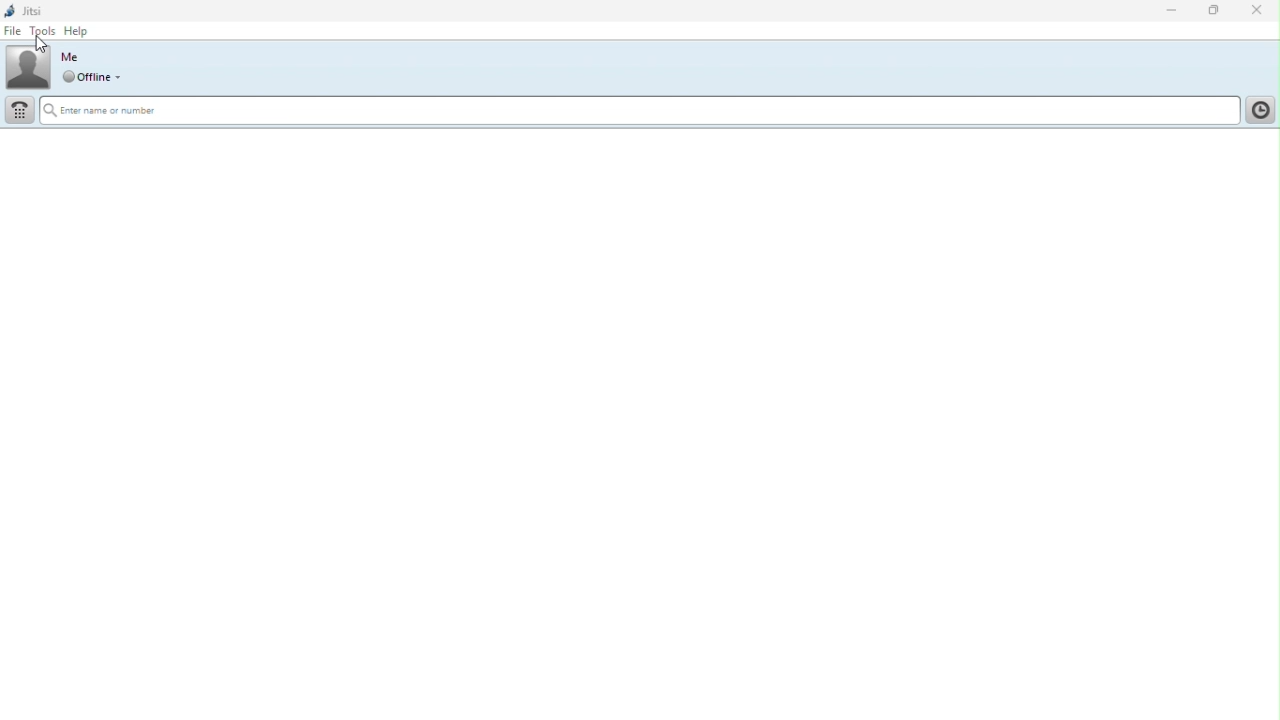  Describe the element at coordinates (42, 31) in the screenshot. I see `Tools` at that location.